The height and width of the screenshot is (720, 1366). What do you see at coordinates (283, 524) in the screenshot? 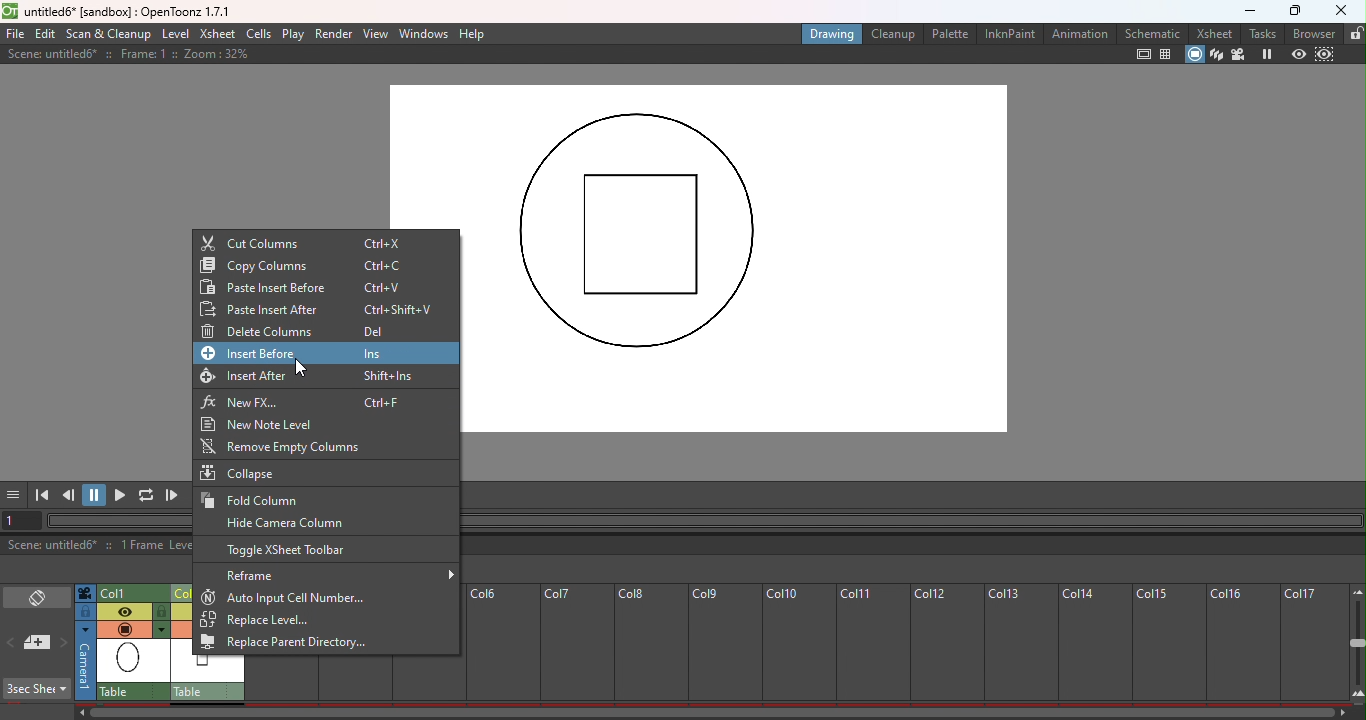
I see `Hide camera column` at bounding box center [283, 524].